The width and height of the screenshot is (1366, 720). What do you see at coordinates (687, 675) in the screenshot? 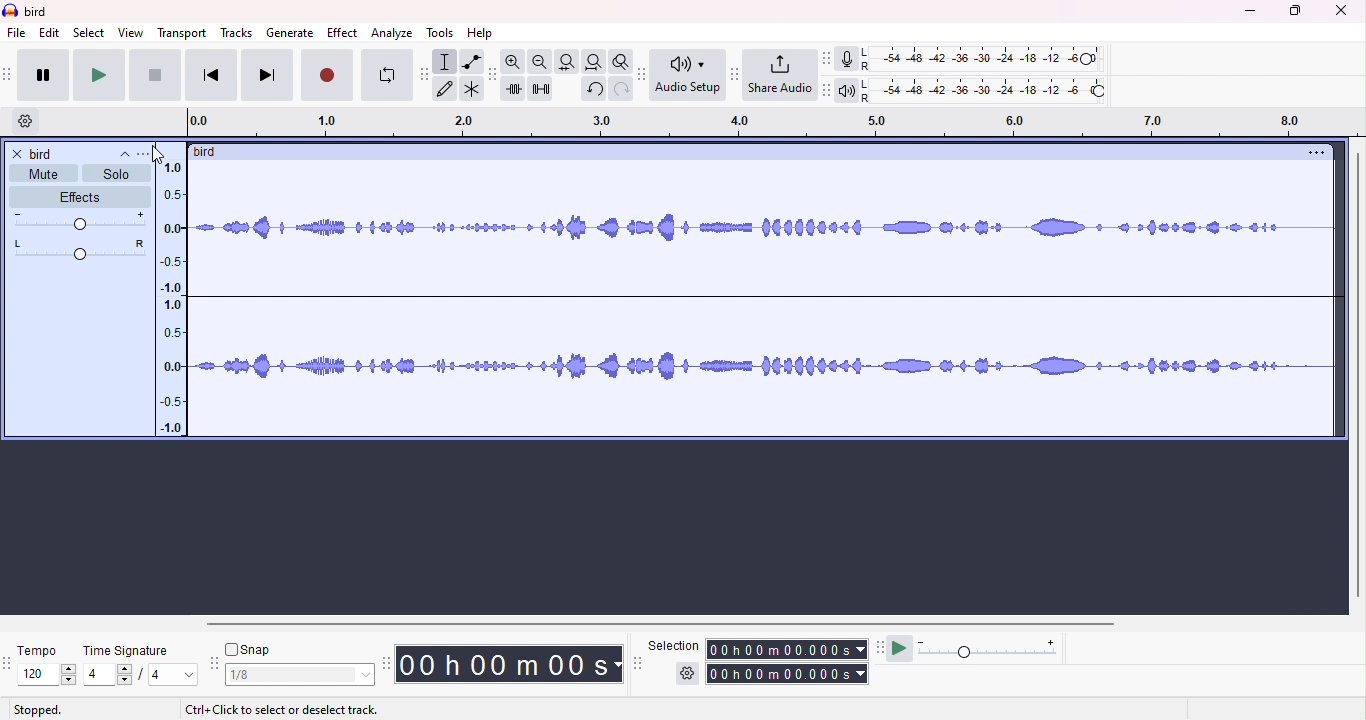
I see `selection options` at bounding box center [687, 675].